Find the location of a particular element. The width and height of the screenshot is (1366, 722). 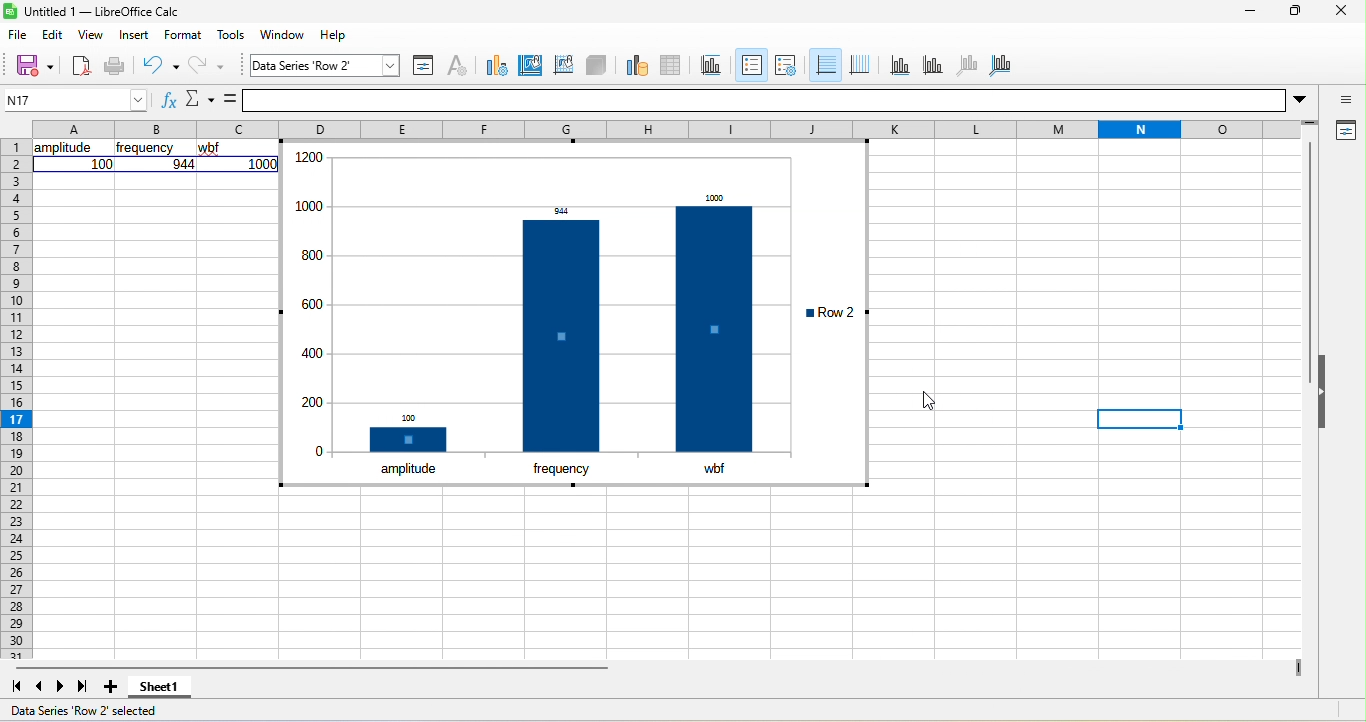

add sheet is located at coordinates (113, 690).